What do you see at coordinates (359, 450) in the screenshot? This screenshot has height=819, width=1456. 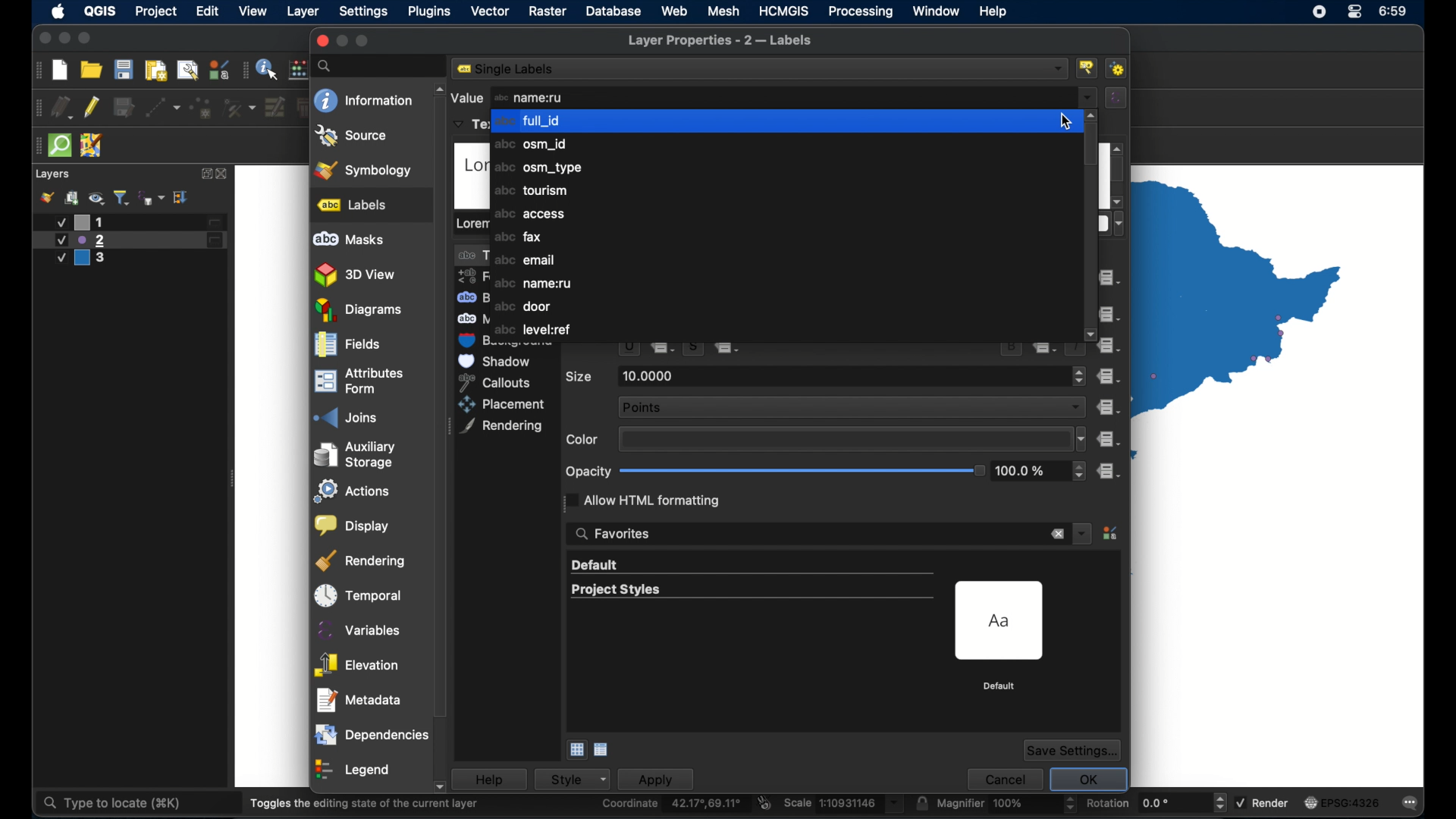 I see `auxilliary storage` at bounding box center [359, 450].